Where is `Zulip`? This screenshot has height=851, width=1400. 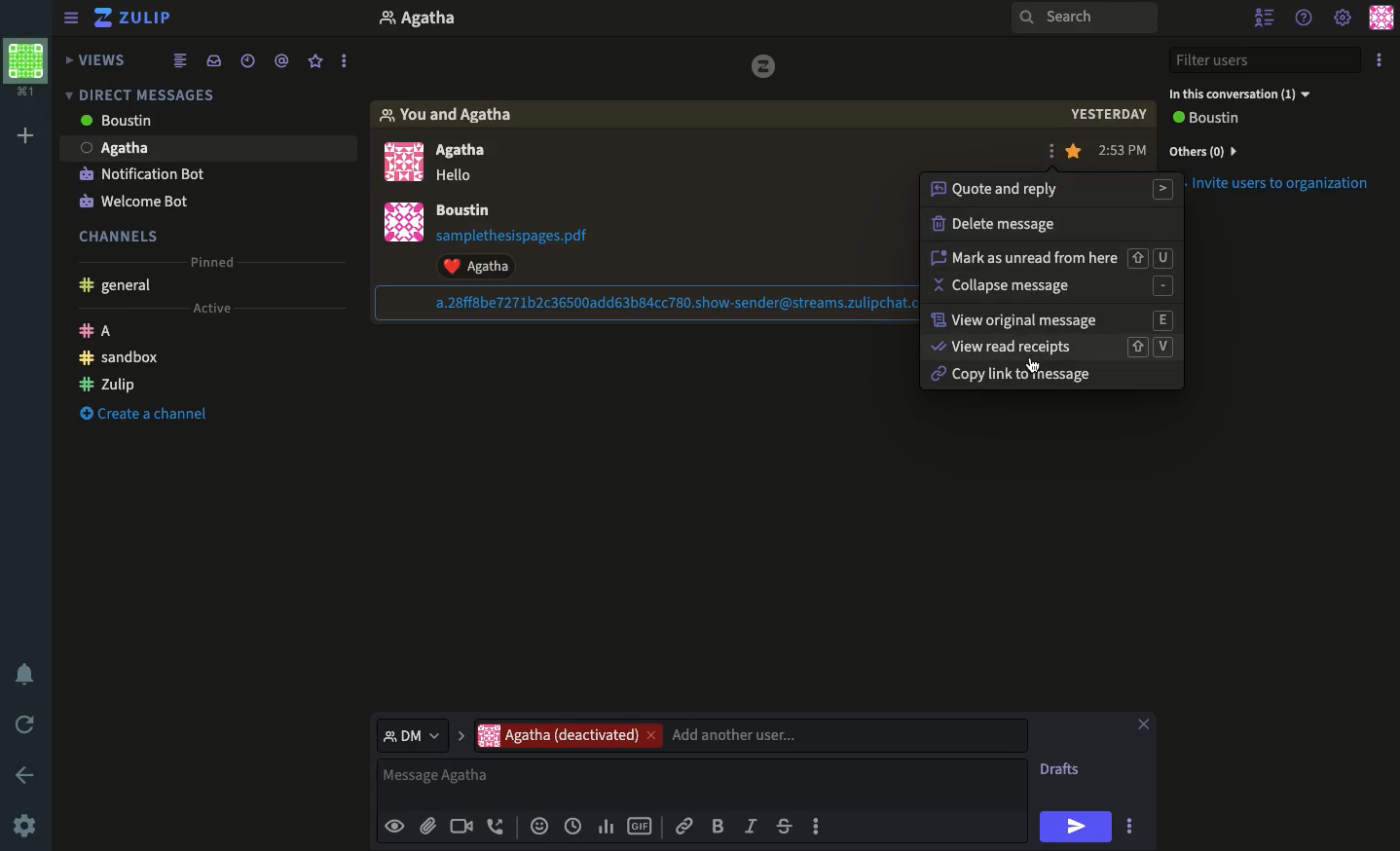
Zulip is located at coordinates (136, 19).